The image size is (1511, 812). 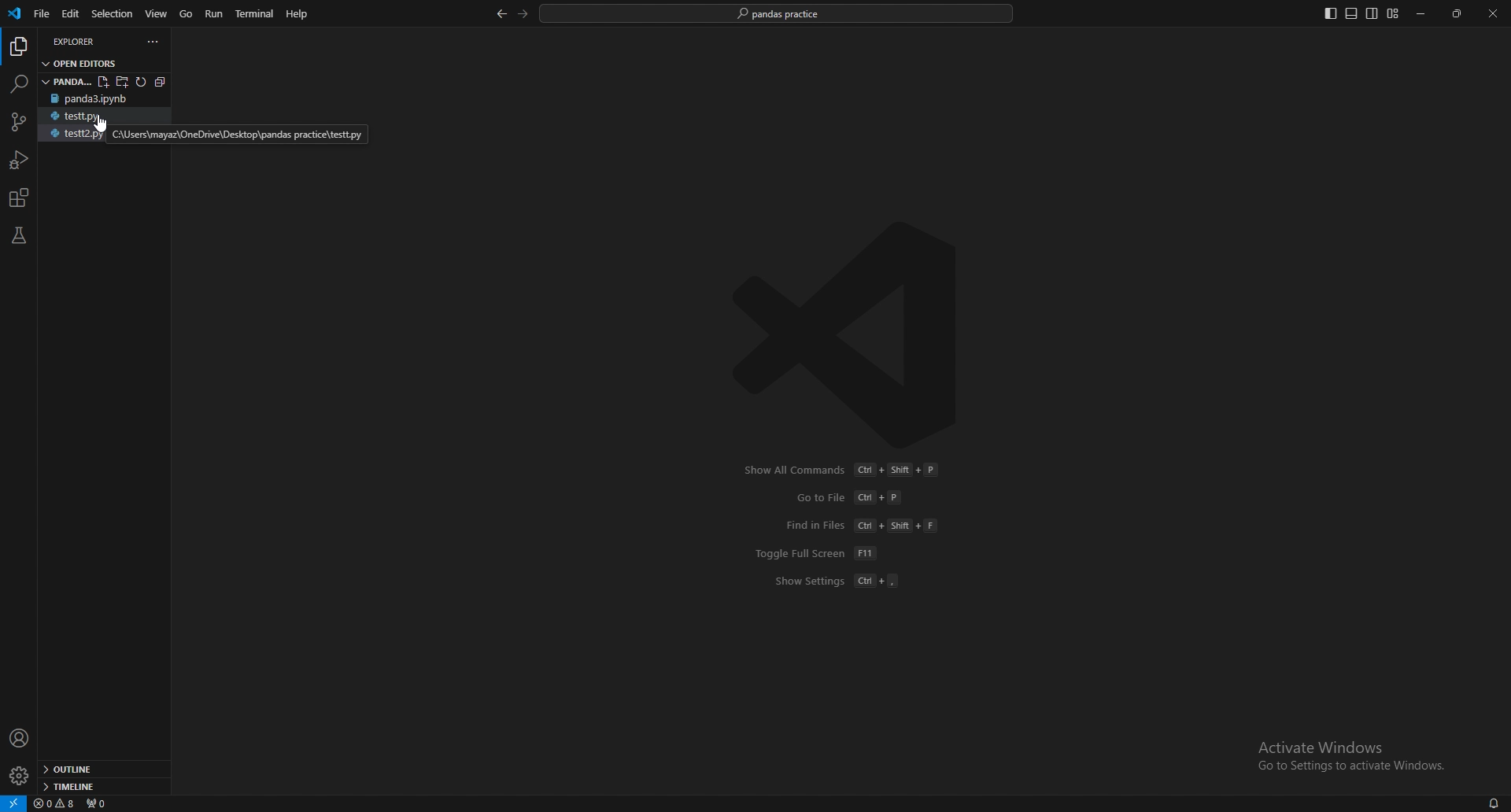 I want to click on resize, so click(x=1459, y=13).